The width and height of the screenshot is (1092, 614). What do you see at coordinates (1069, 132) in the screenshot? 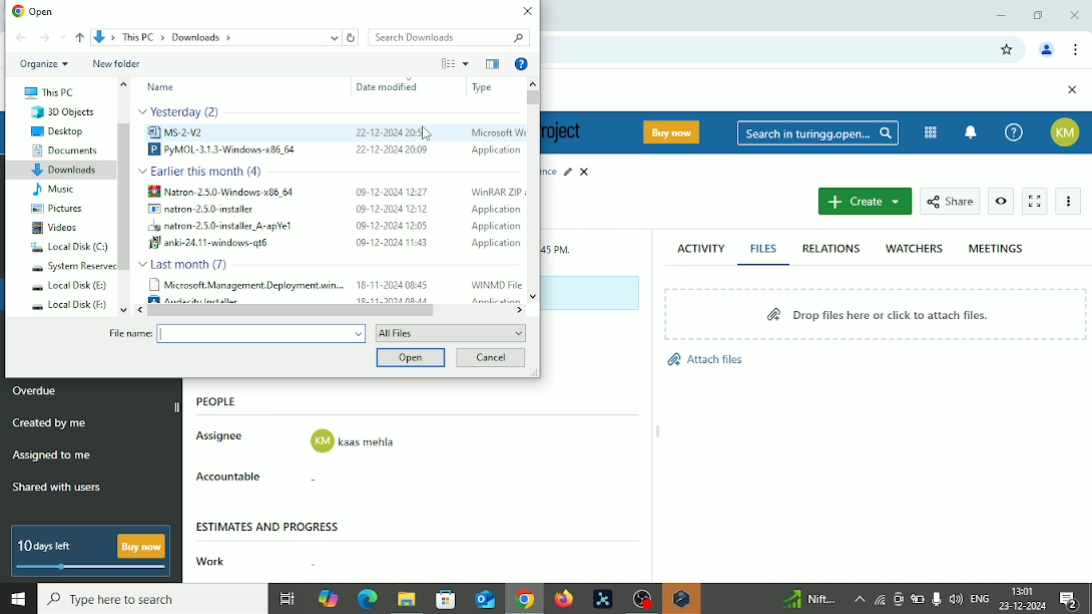
I see `Account` at bounding box center [1069, 132].